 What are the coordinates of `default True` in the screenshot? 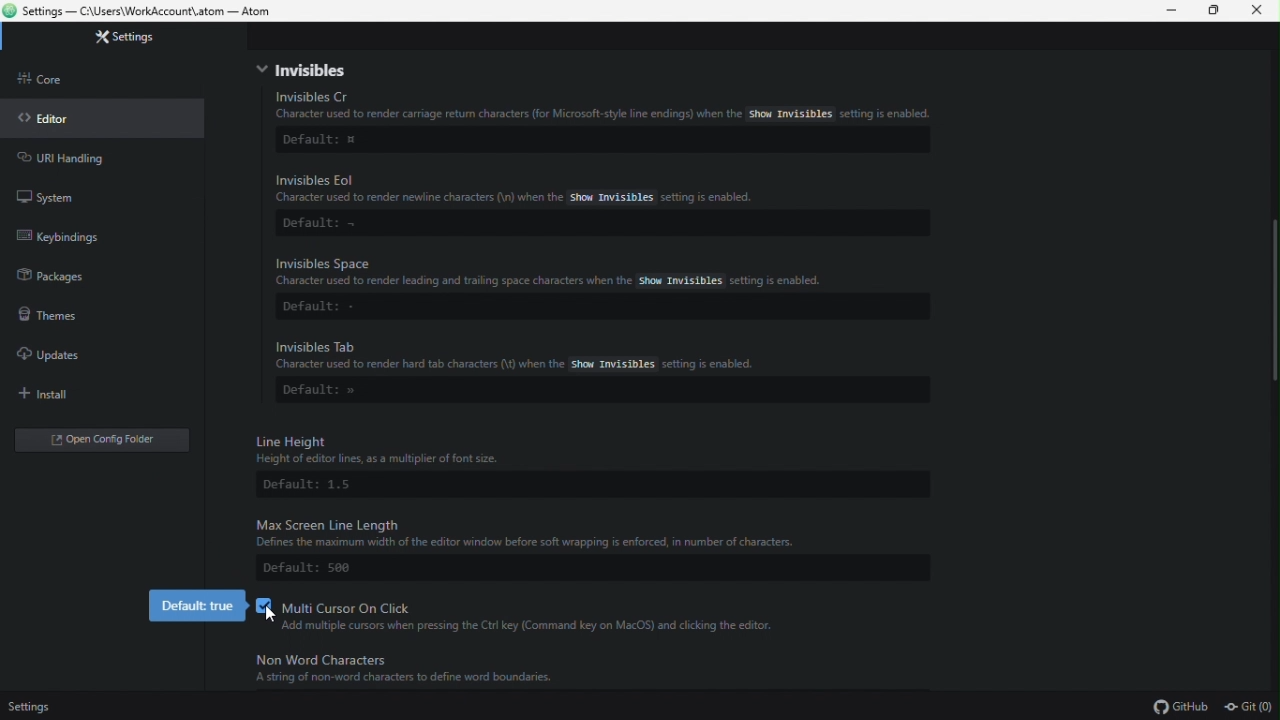 It's located at (196, 606).